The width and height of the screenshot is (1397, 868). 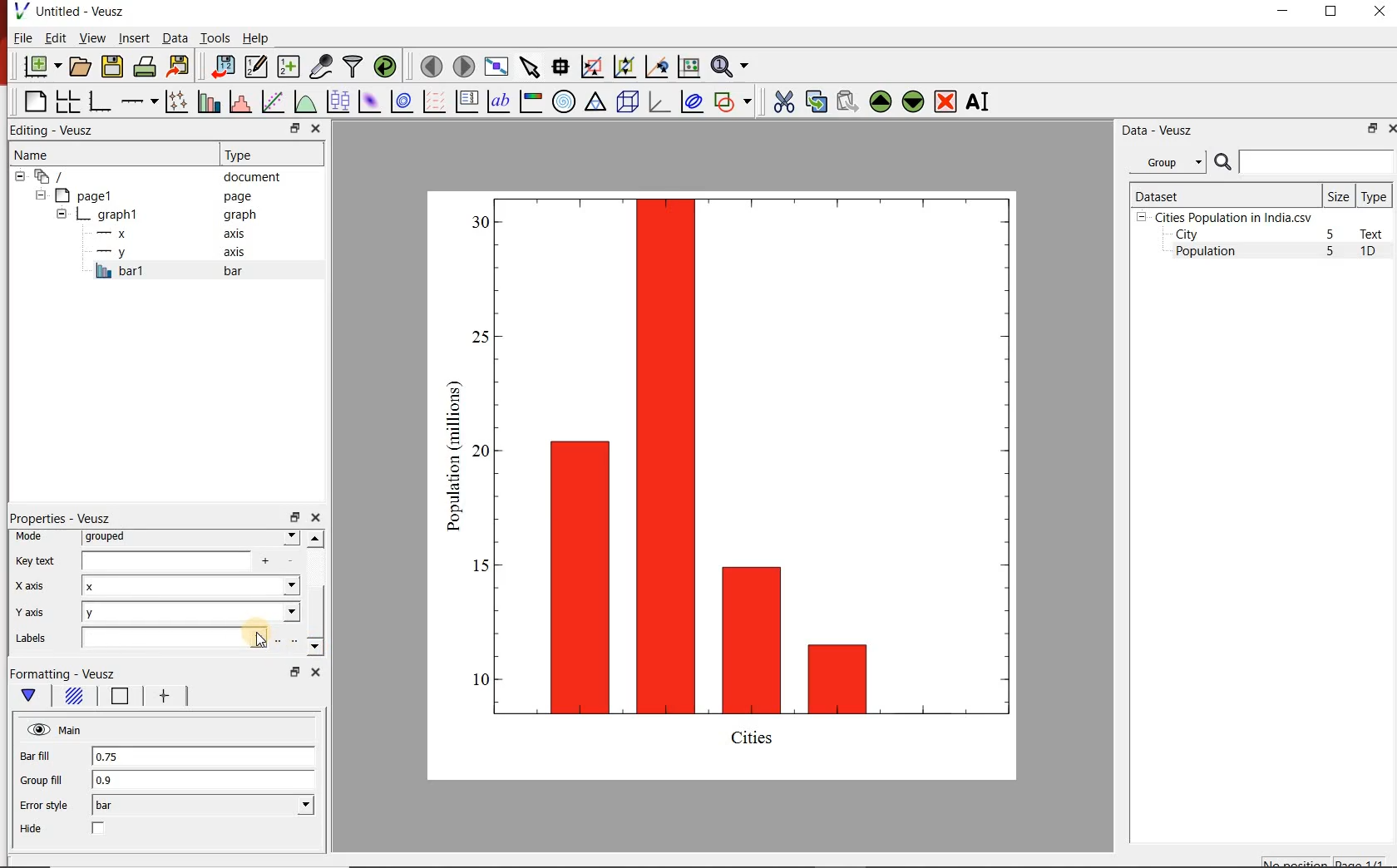 What do you see at coordinates (1331, 252) in the screenshot?
I see `5` at bounding box center [1331, 252].